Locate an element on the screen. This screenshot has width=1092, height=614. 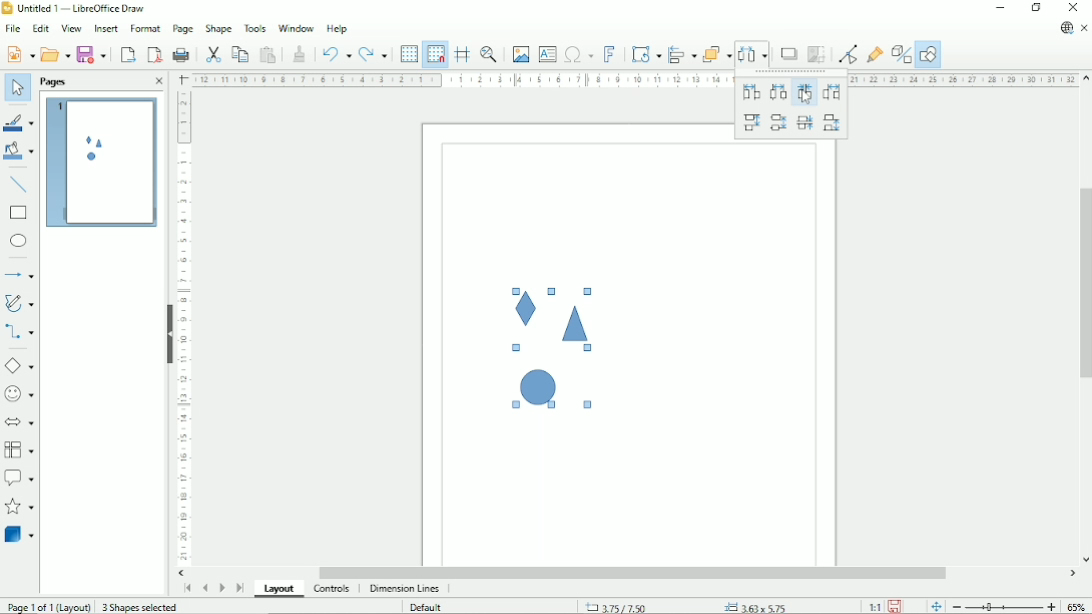
Vertically bottom is located at coordinates (833, 125).